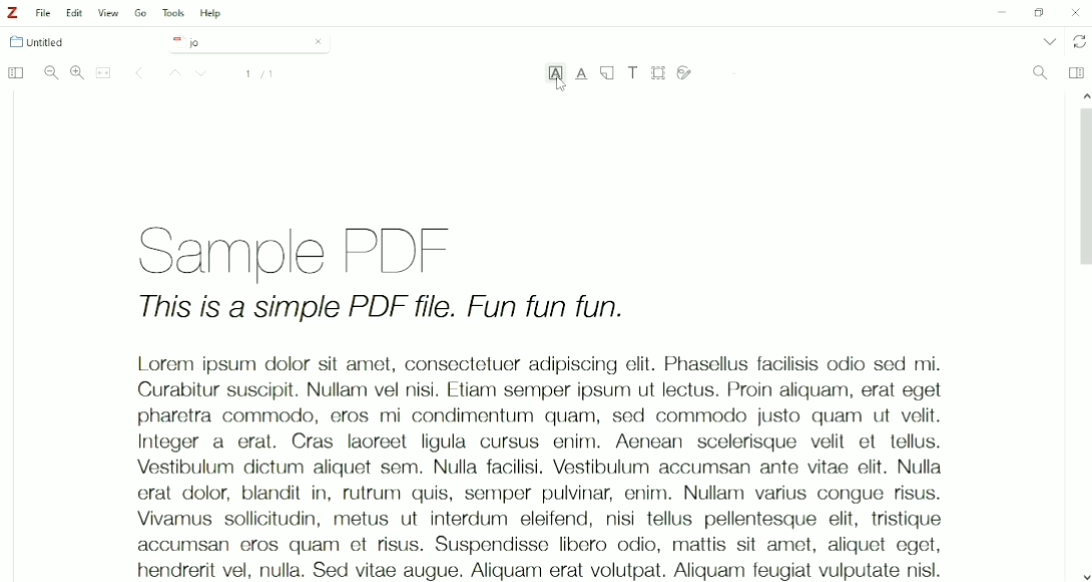 This screenshot has height=582, width=1092. What do you see at coordinates (229, 42) in the screenshot?
I see `jo` at bounding box center [229, 42].